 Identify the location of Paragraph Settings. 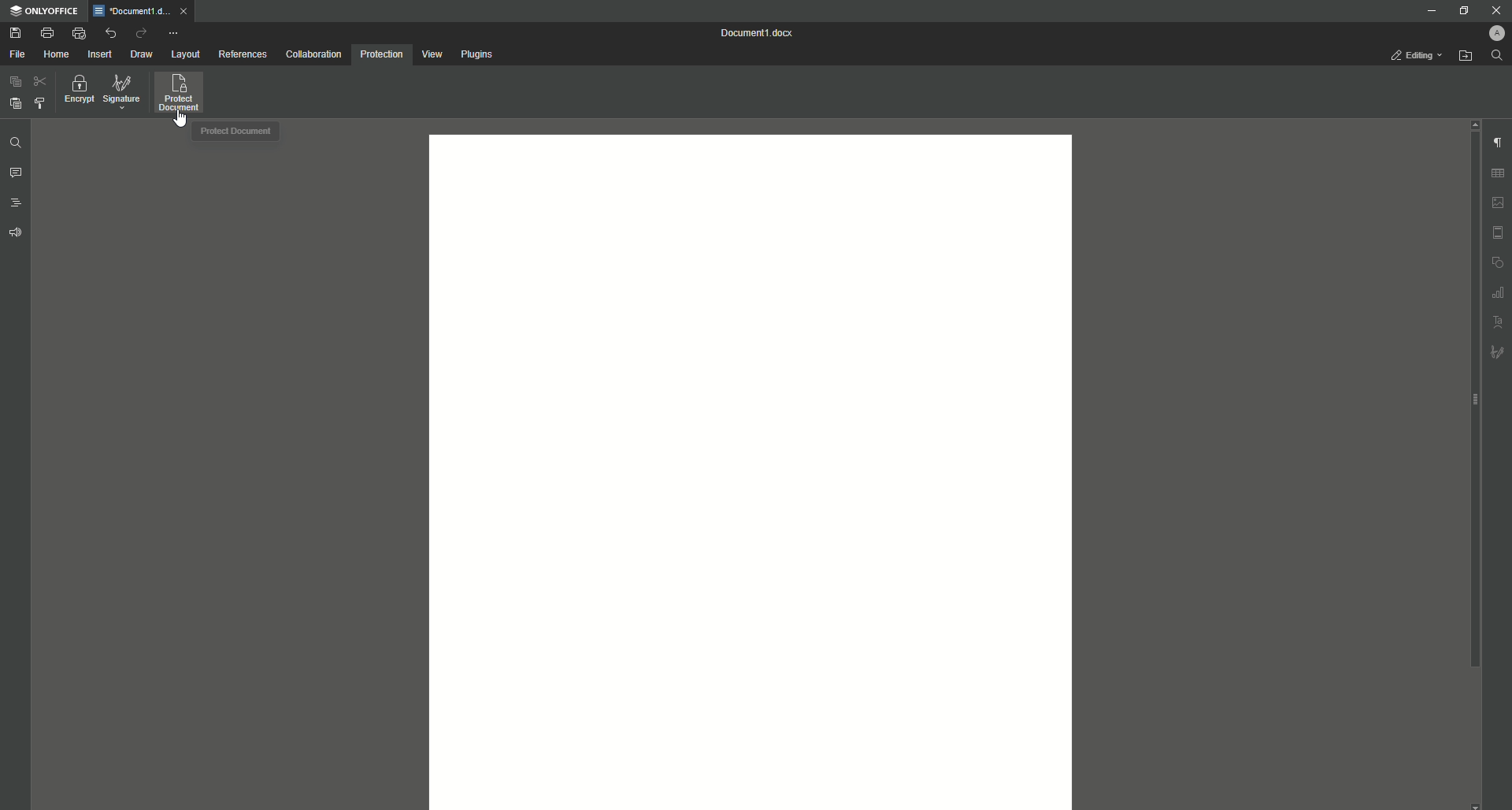
(1498, 143).